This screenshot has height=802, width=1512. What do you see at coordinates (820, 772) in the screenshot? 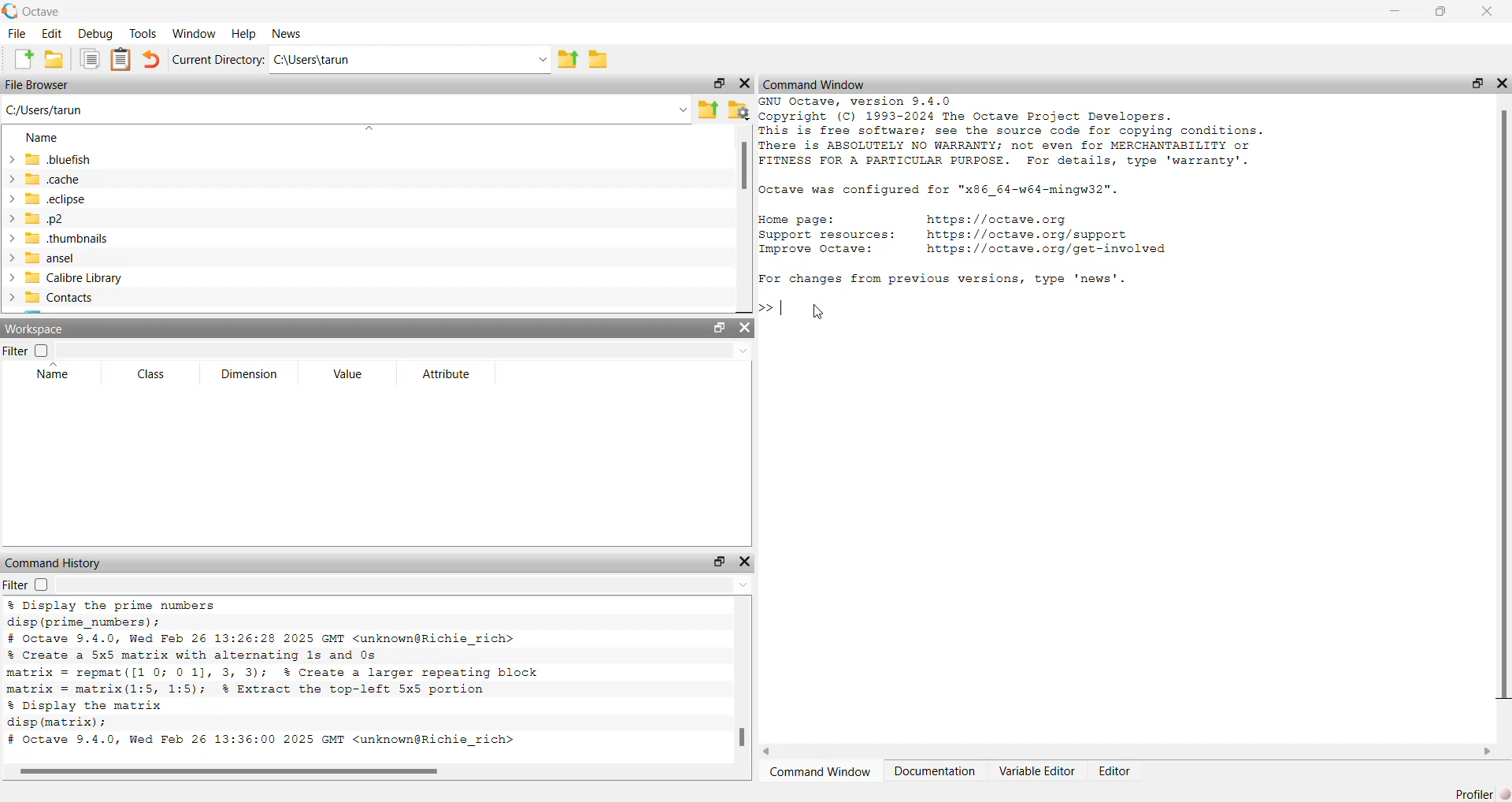
I see `command window` at bounding box center [820, 772].